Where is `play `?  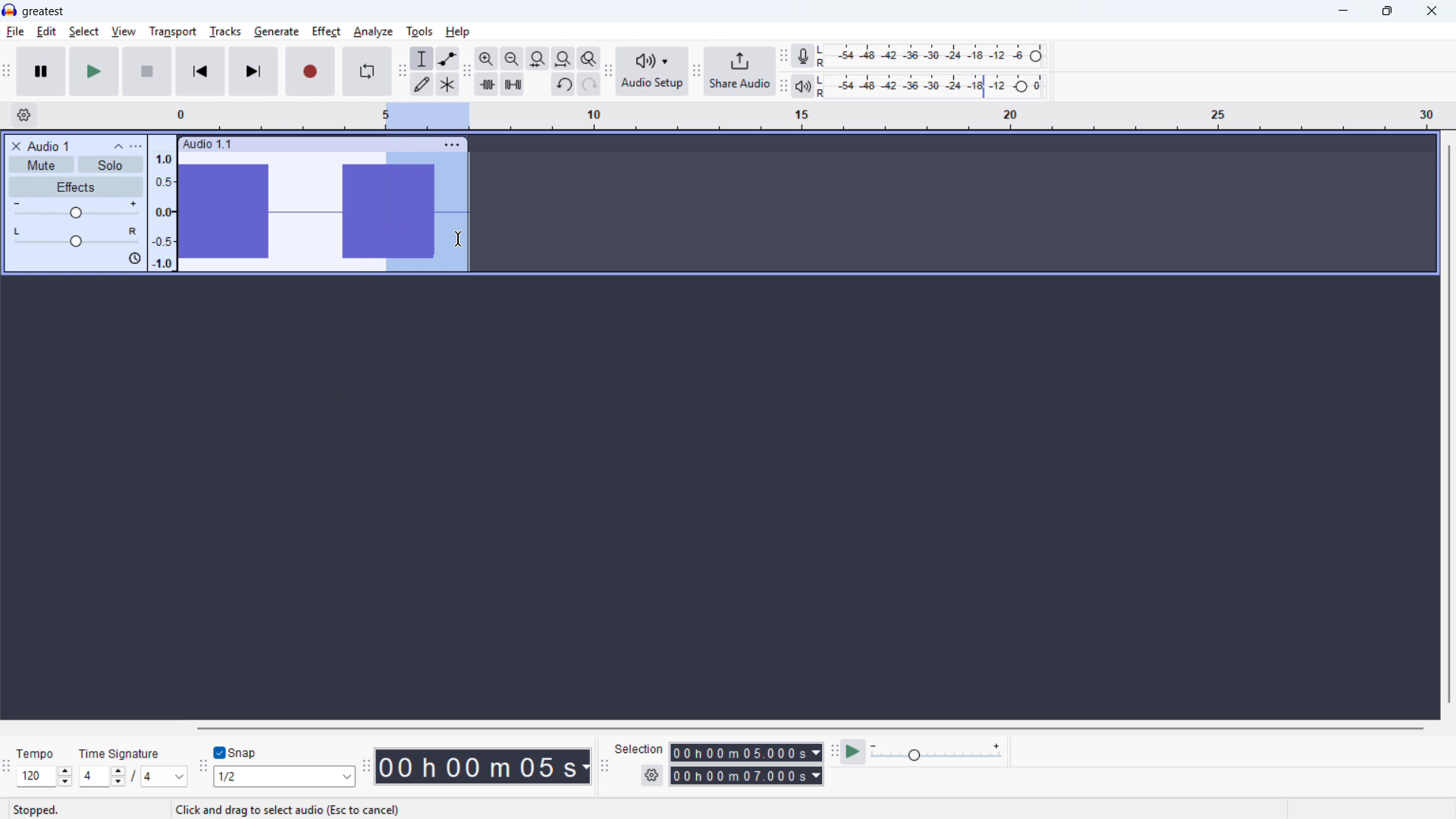 play  is located at coordinates (94, 71).